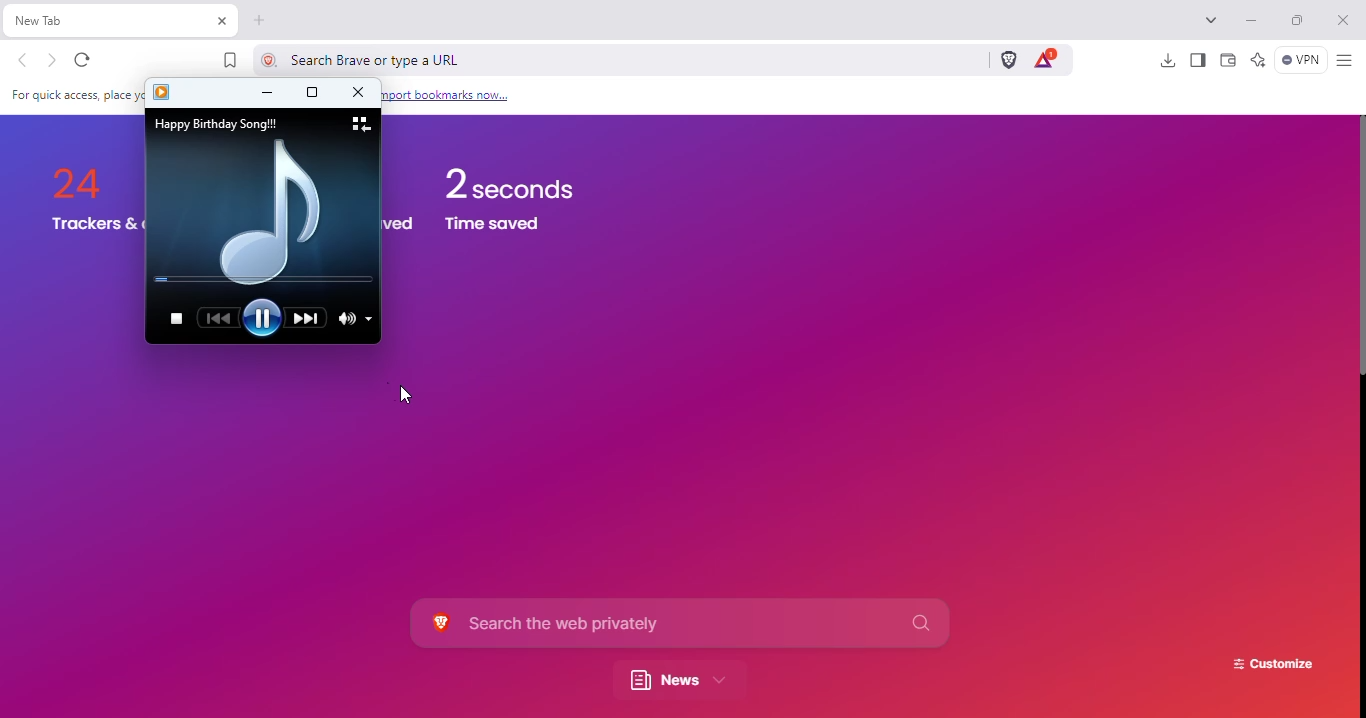  I want to click on stop, so click(177, 320).